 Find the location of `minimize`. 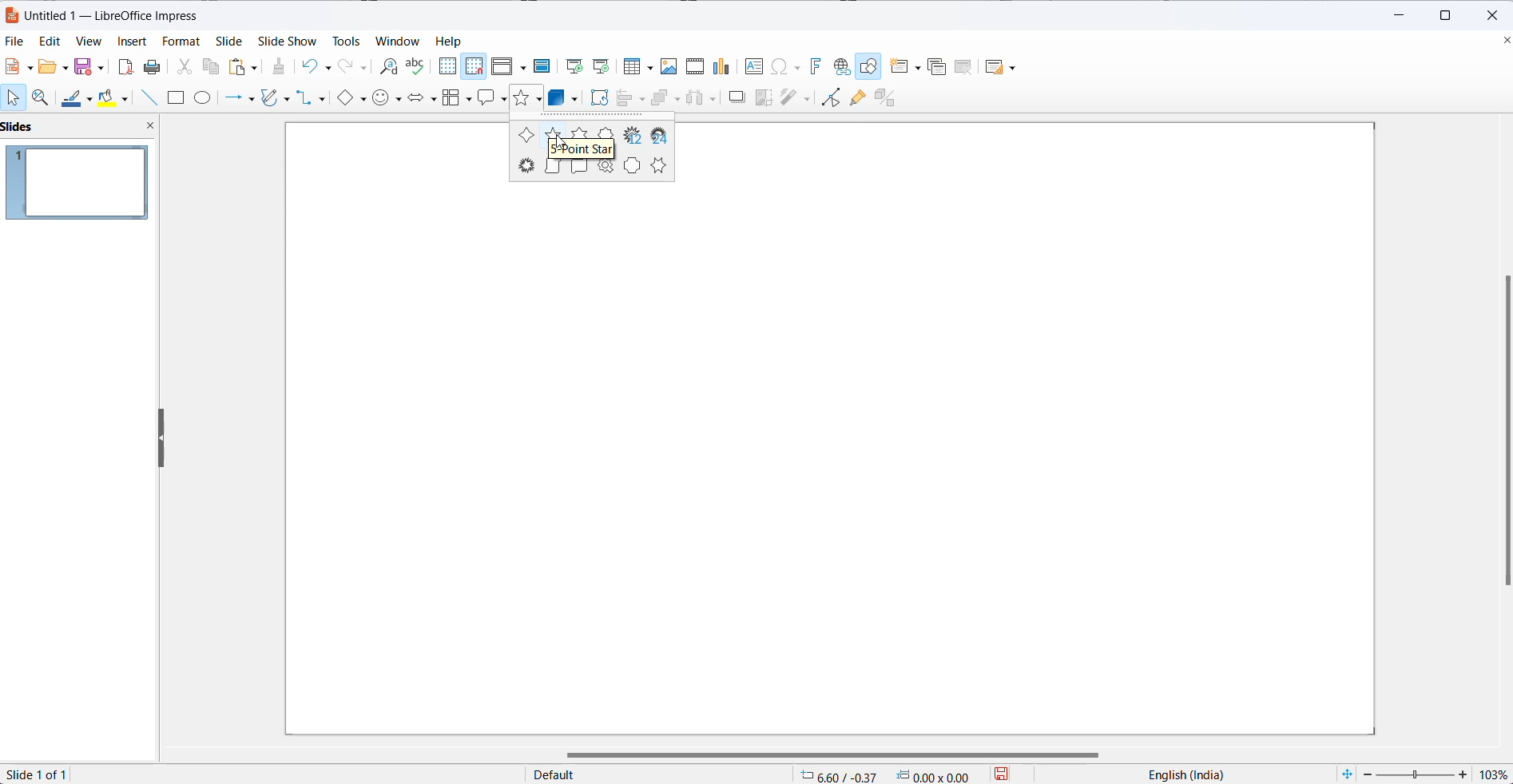

minimize is located at coordinates (1393, 16).